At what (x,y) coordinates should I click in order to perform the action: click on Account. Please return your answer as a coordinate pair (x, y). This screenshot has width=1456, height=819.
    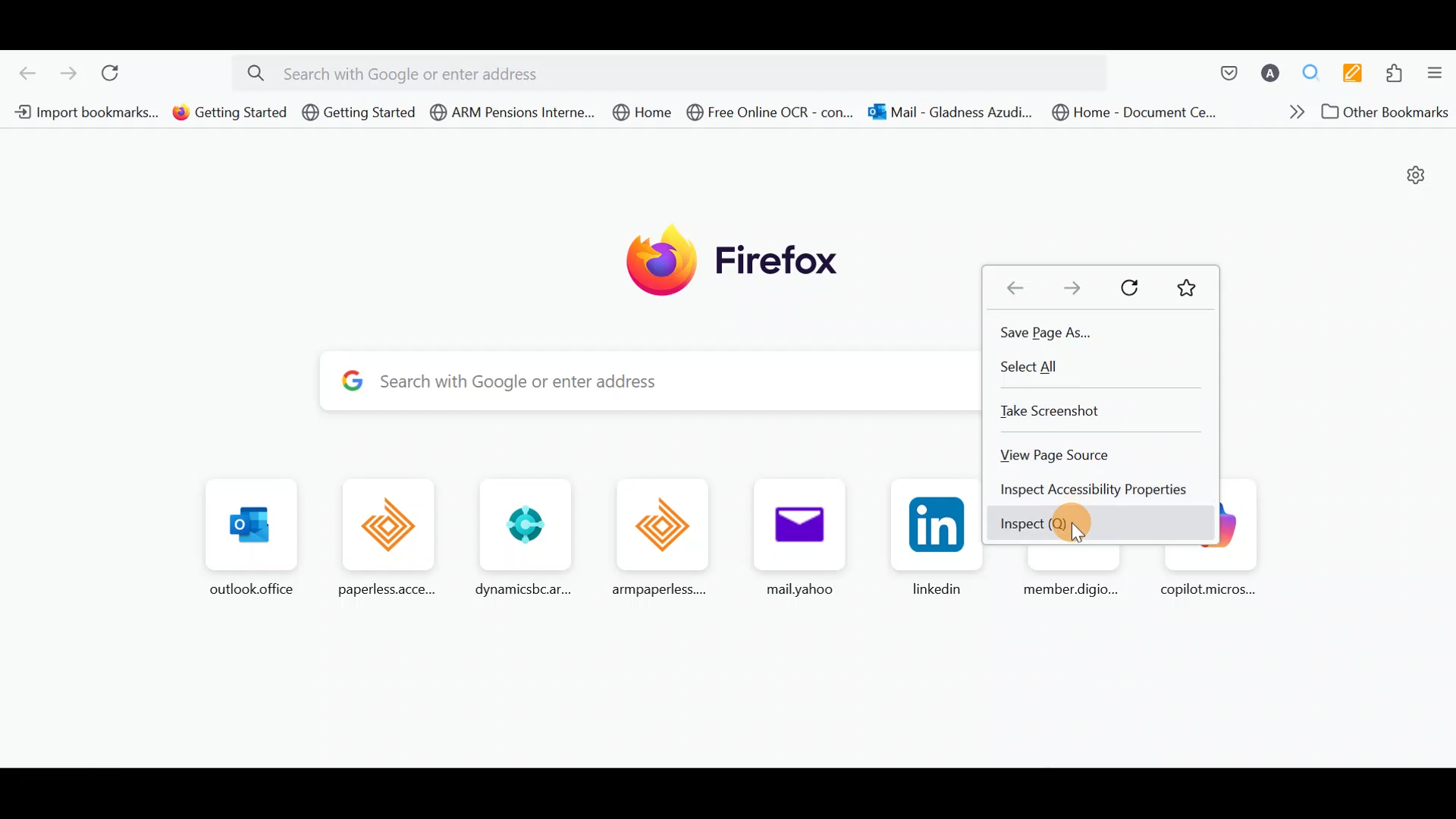
    Looking at the image, I should click on (1272, 67).